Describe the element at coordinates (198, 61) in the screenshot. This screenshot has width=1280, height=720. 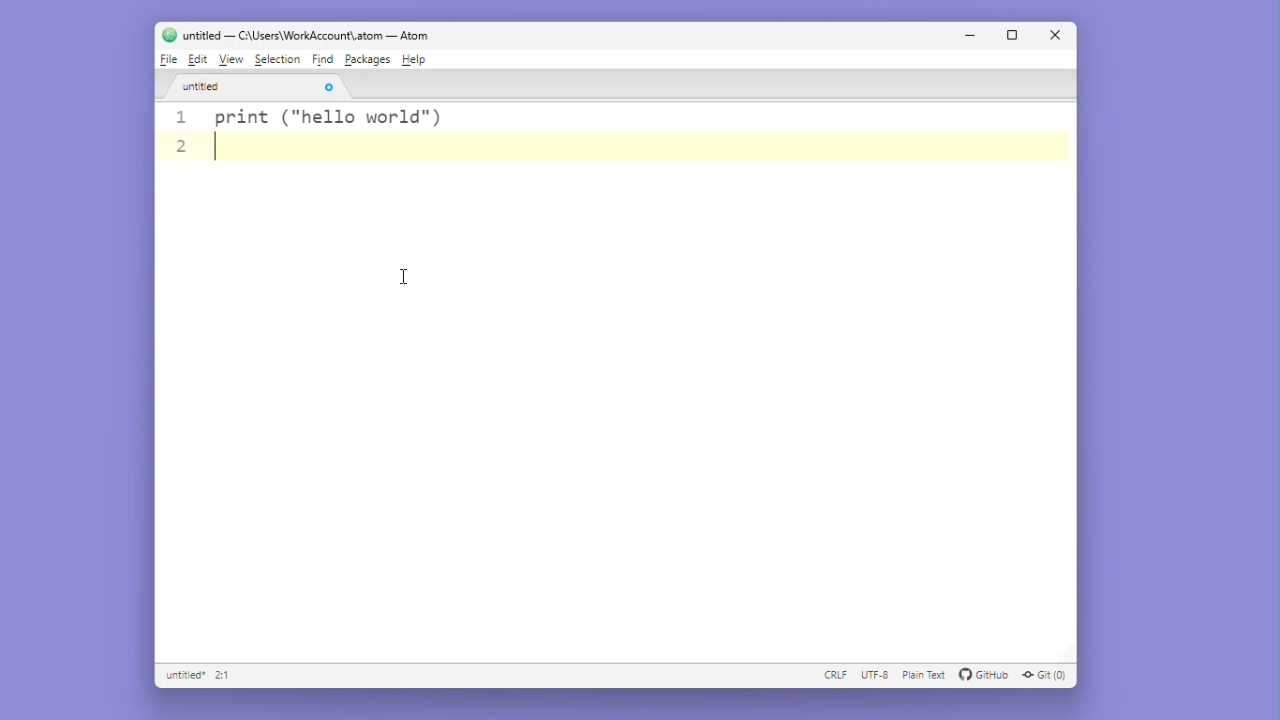
I see `Edit` at that location.